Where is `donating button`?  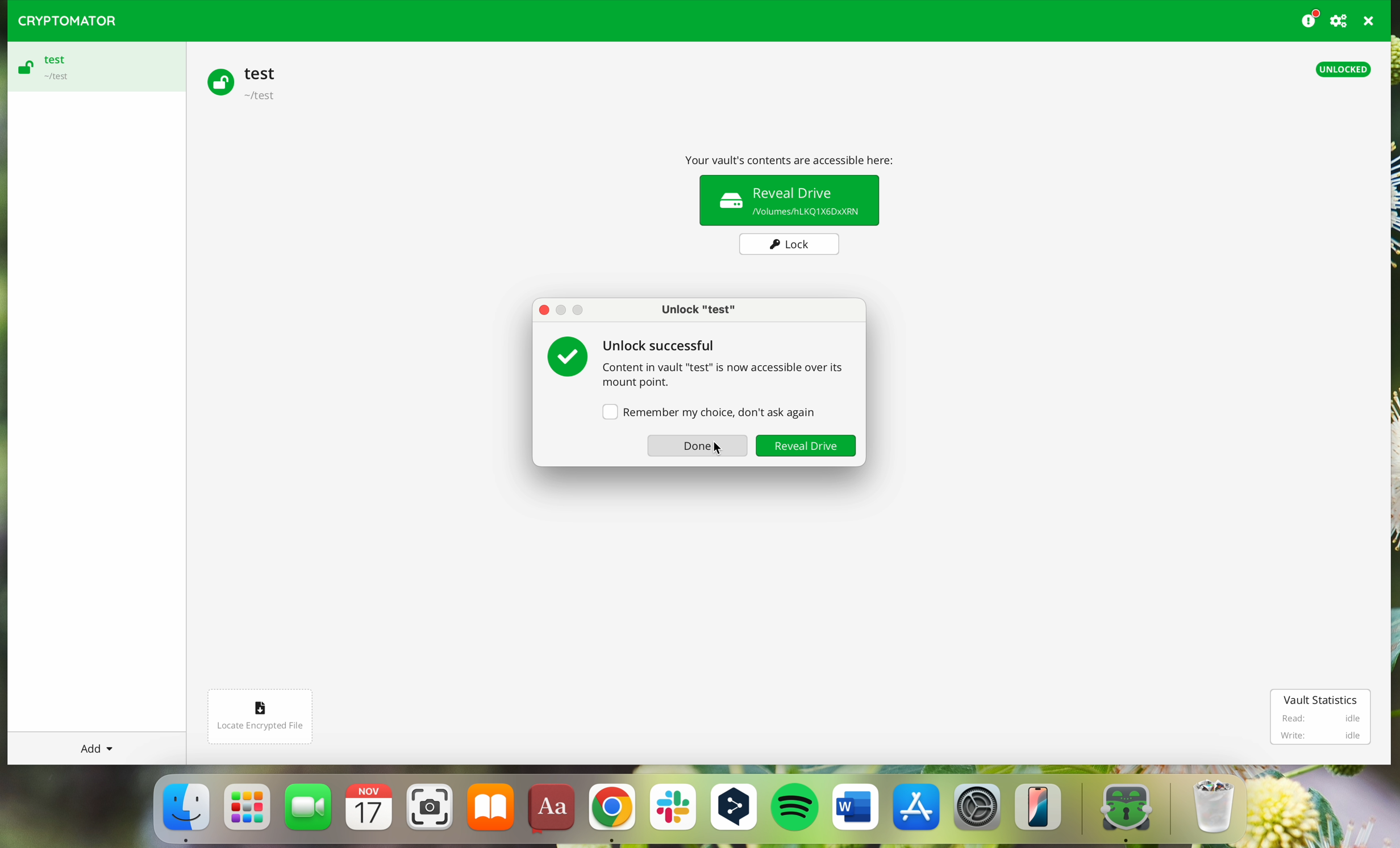
donating button is located at coordinates (1310, 19).